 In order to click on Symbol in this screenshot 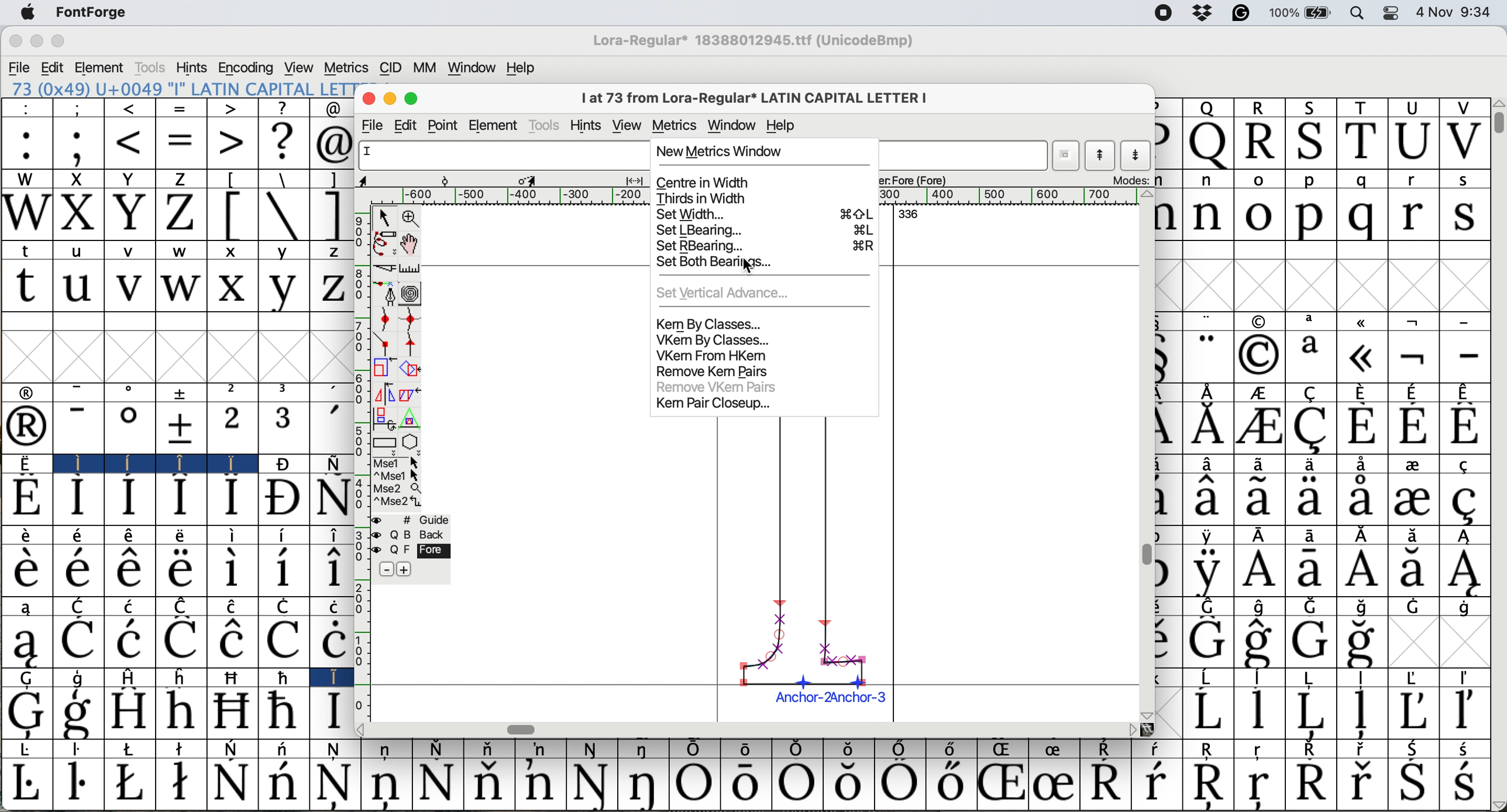, I will do `click(1465, 784)`.